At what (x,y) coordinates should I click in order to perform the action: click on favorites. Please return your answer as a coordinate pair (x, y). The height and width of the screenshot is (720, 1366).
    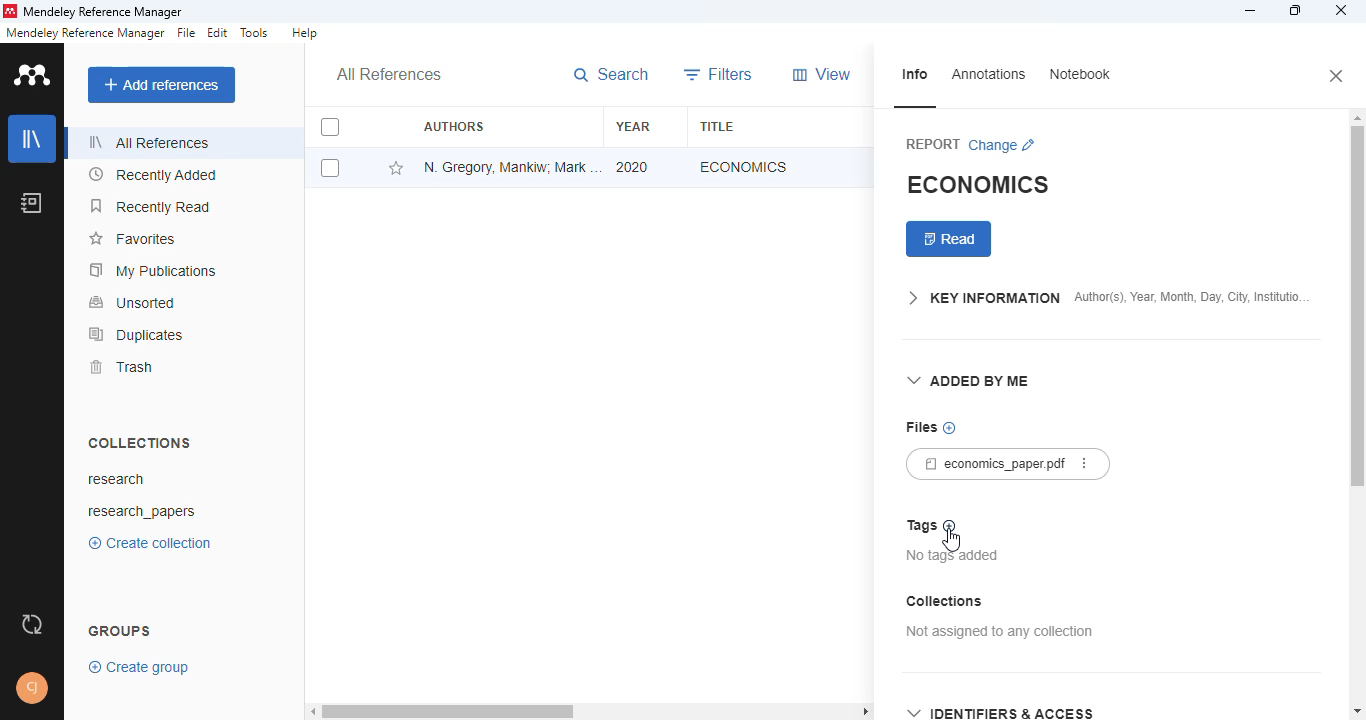
    Looking at the image, I should click on (131, 240).